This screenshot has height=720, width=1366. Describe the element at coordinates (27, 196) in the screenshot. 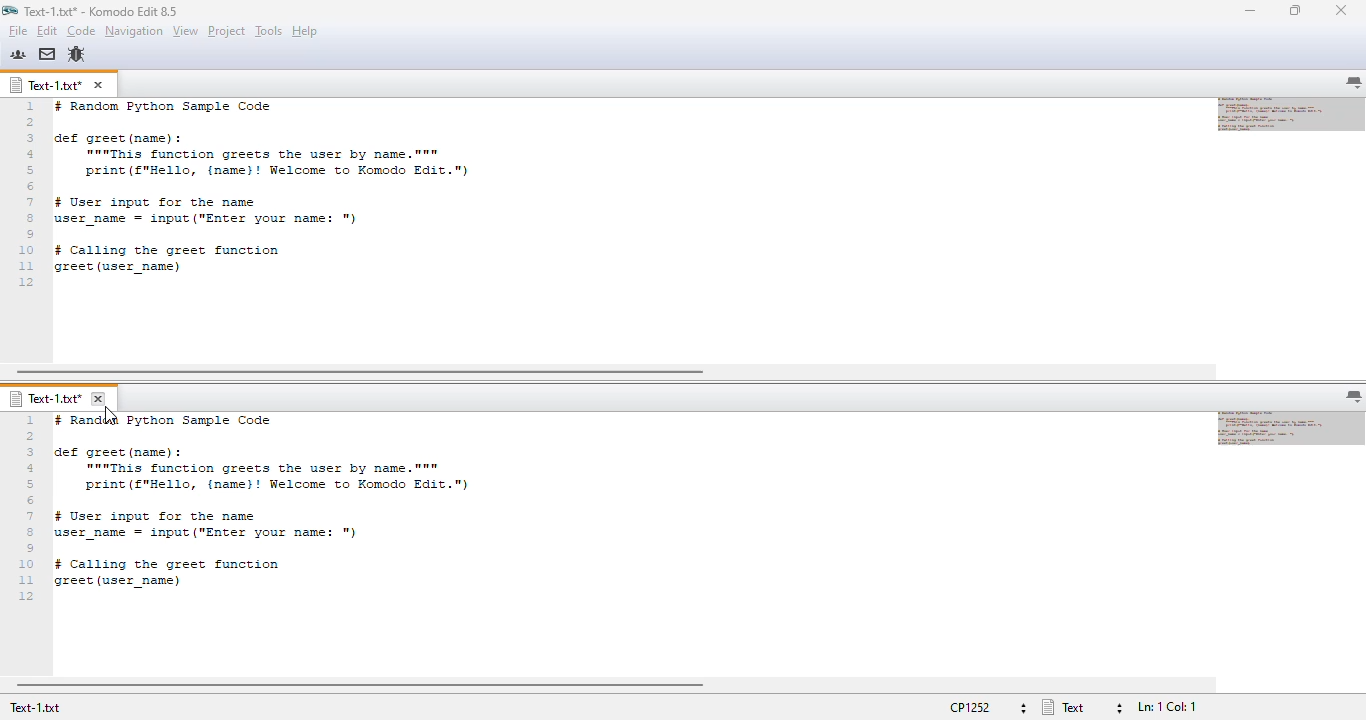

I see `line numbers` at that location.